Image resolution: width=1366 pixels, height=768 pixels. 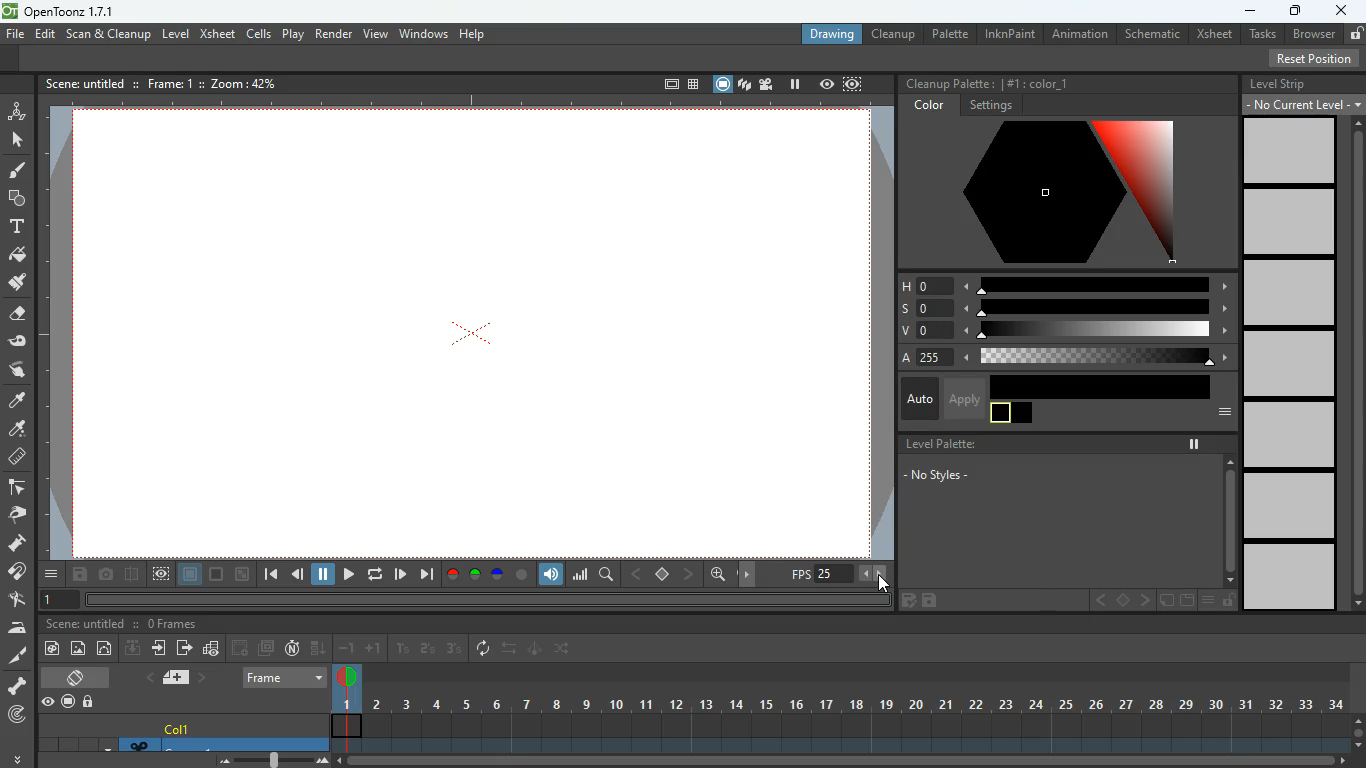 What do you see at coordinates (499, 574) in the screenshot?
I see `blue` at bounding box center [499, 574].